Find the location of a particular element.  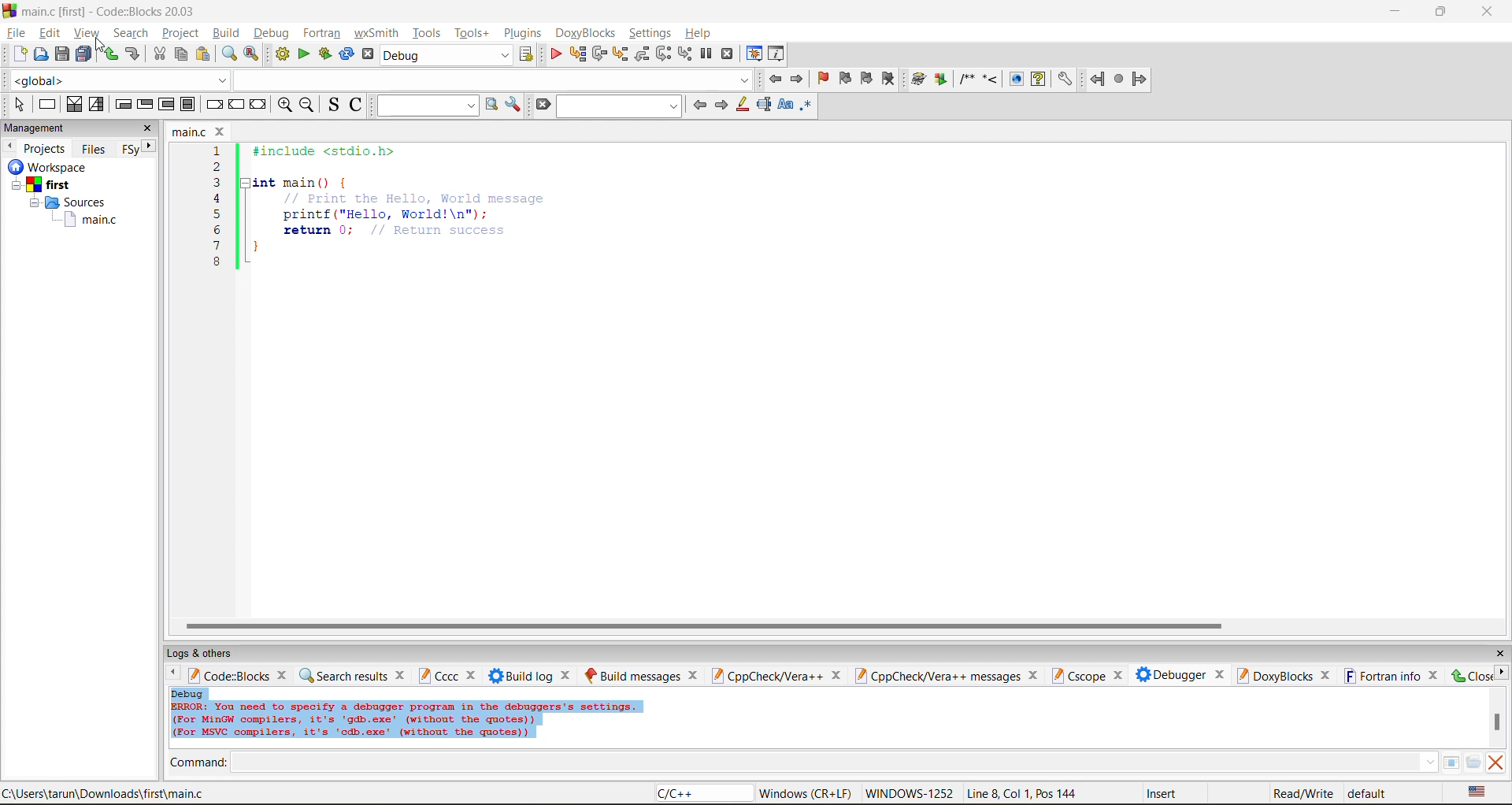

Extract is located at coordinates (940, 79).